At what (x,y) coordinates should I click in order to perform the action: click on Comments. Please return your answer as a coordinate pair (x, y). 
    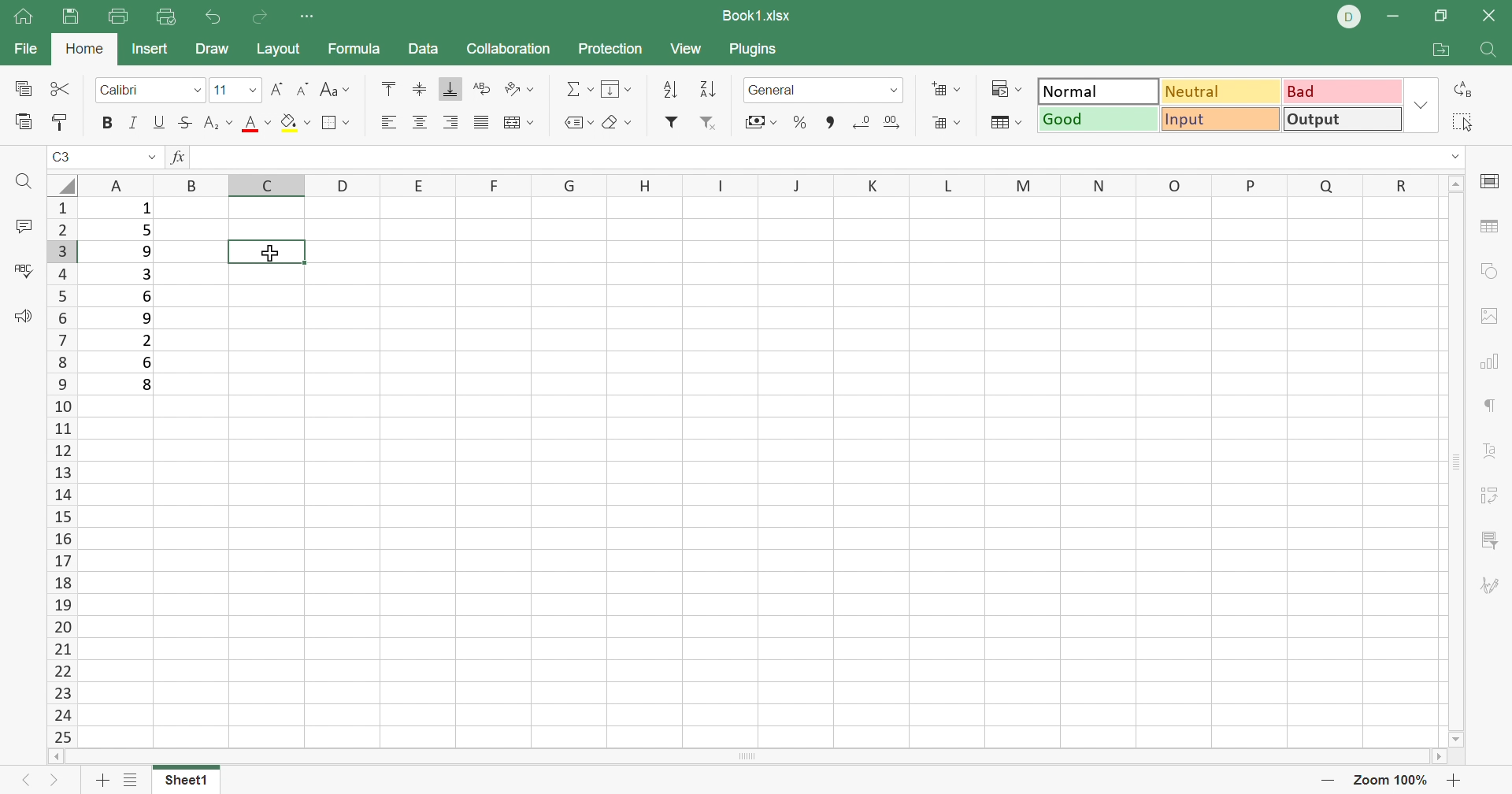
    Looking at the image, I should click on (23, 223).